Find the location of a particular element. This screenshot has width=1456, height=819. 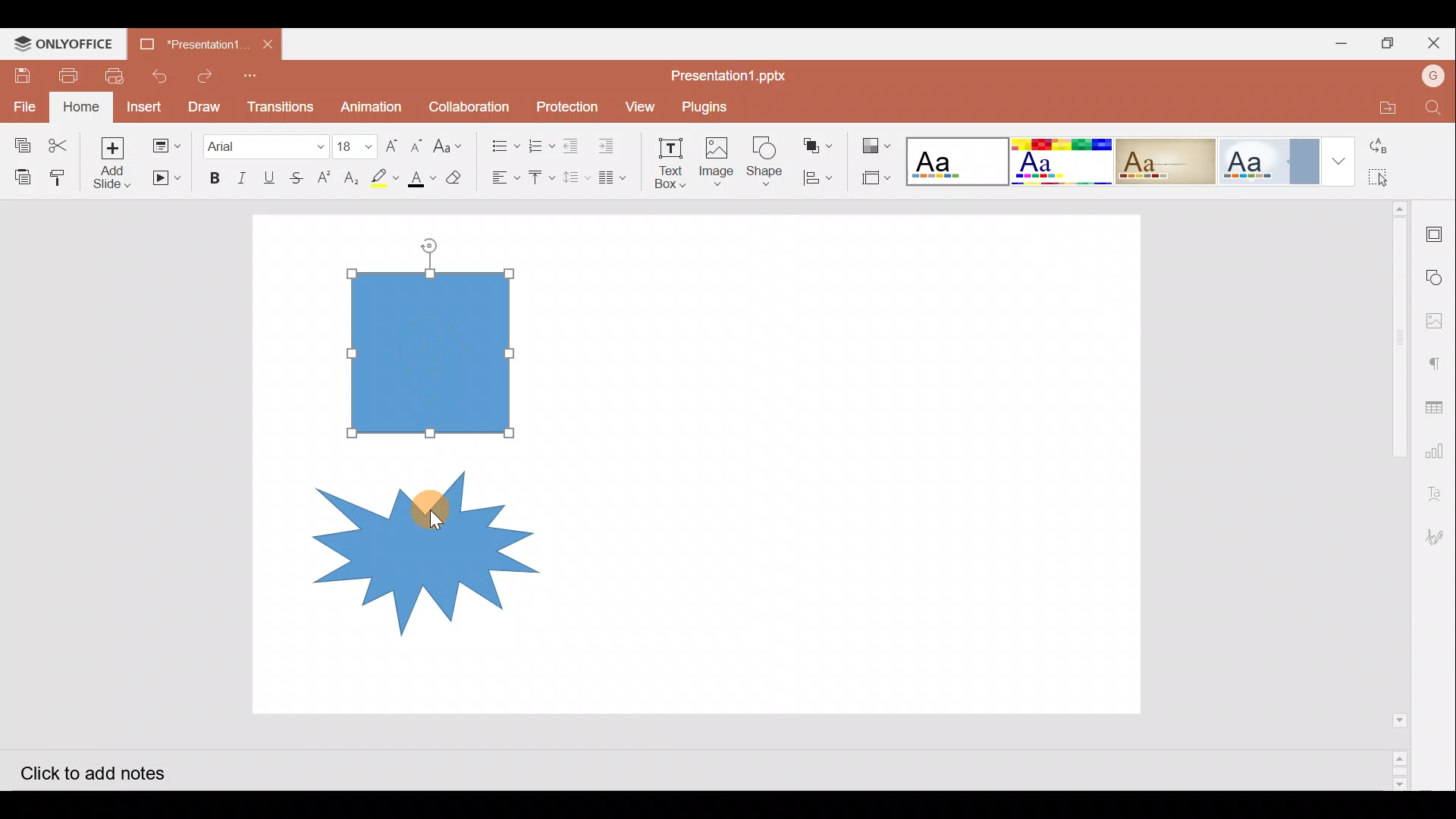

Horizontal align is located at coordinates (501, 177).